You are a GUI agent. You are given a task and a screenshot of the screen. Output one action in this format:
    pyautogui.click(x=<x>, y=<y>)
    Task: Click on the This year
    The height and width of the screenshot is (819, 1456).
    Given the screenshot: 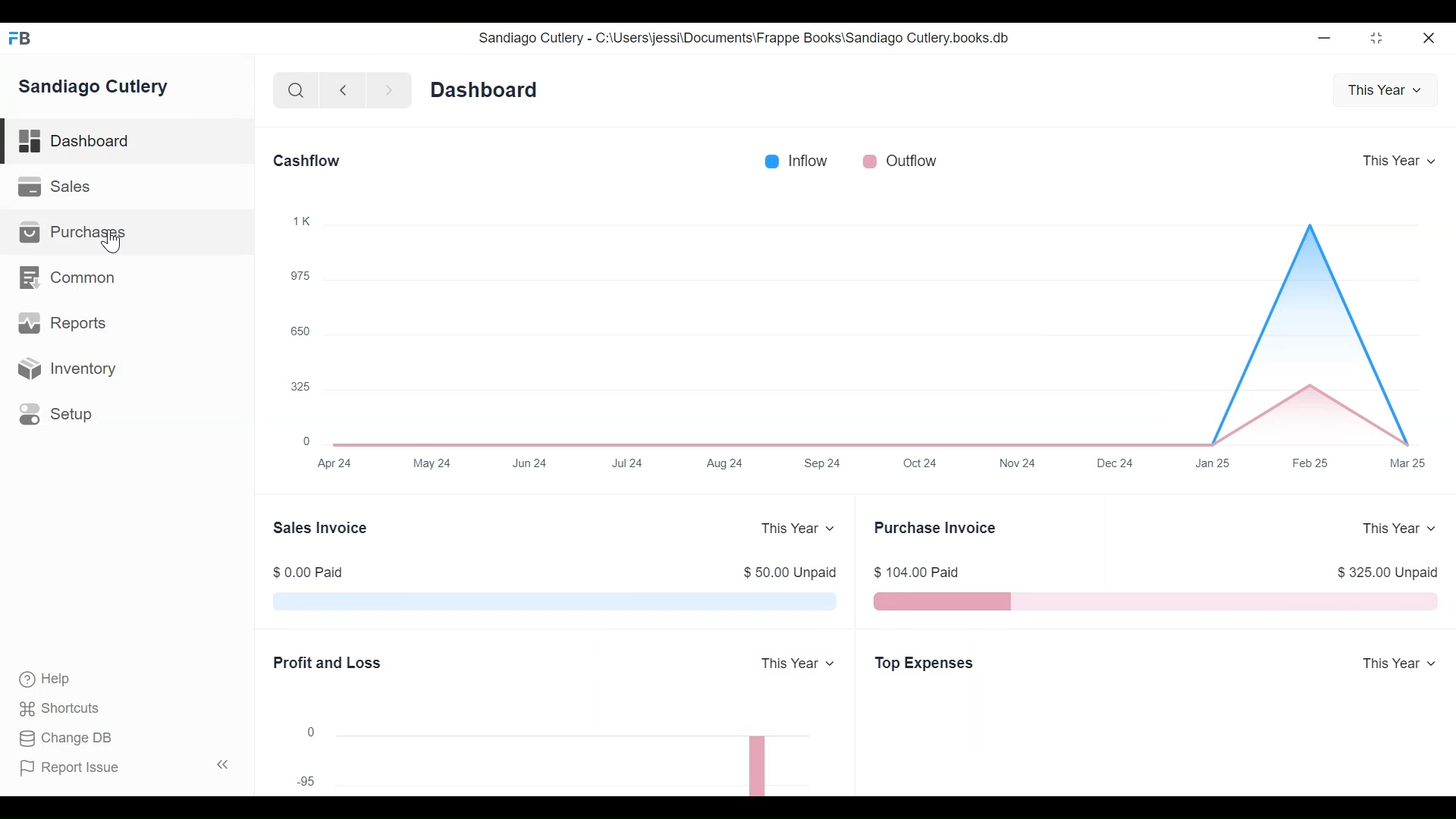 What is the action you would take?
    pyautogui.click(x=1386, y=88)
    